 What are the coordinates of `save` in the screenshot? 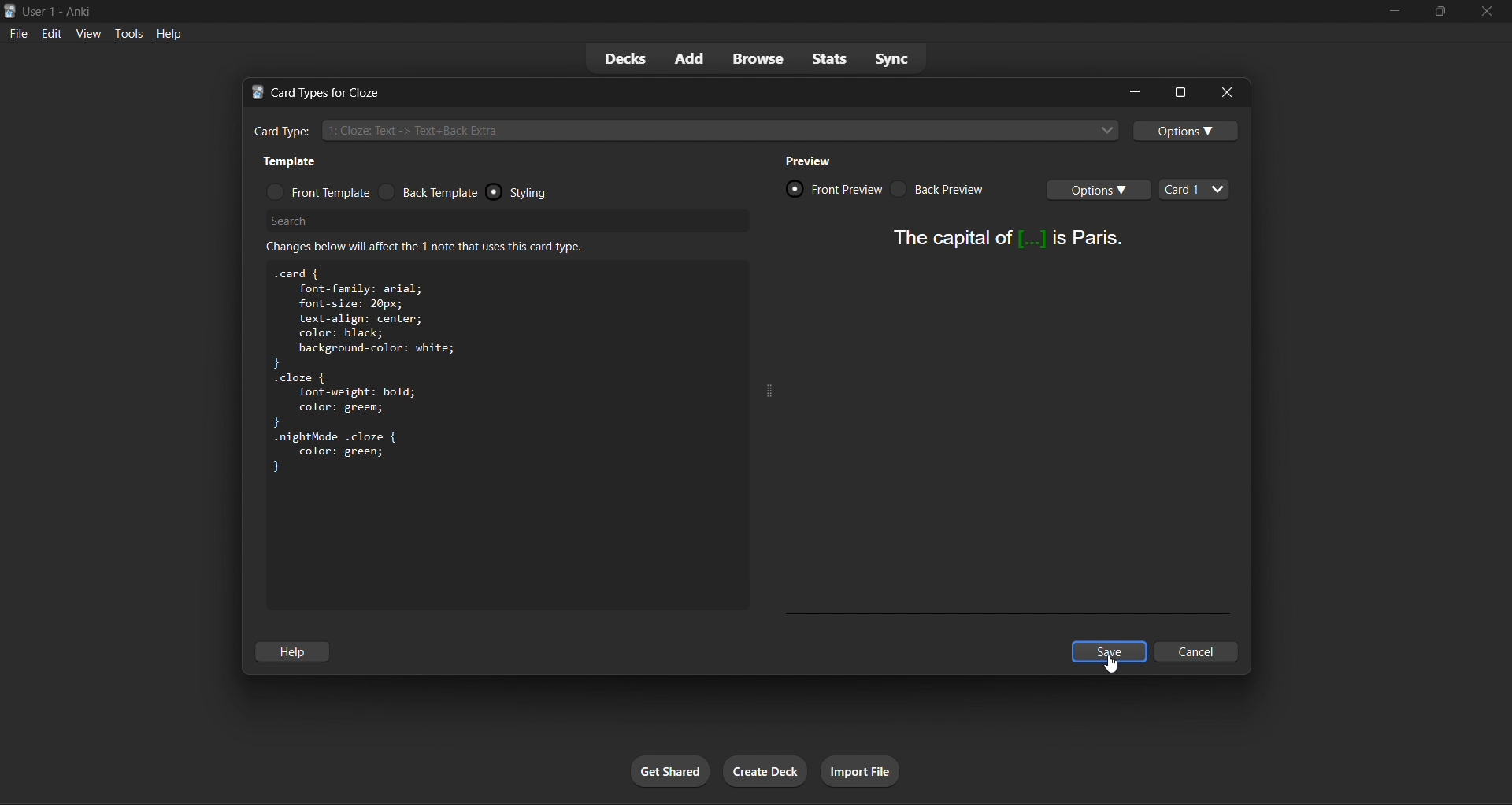 It's located at (1112, 653).